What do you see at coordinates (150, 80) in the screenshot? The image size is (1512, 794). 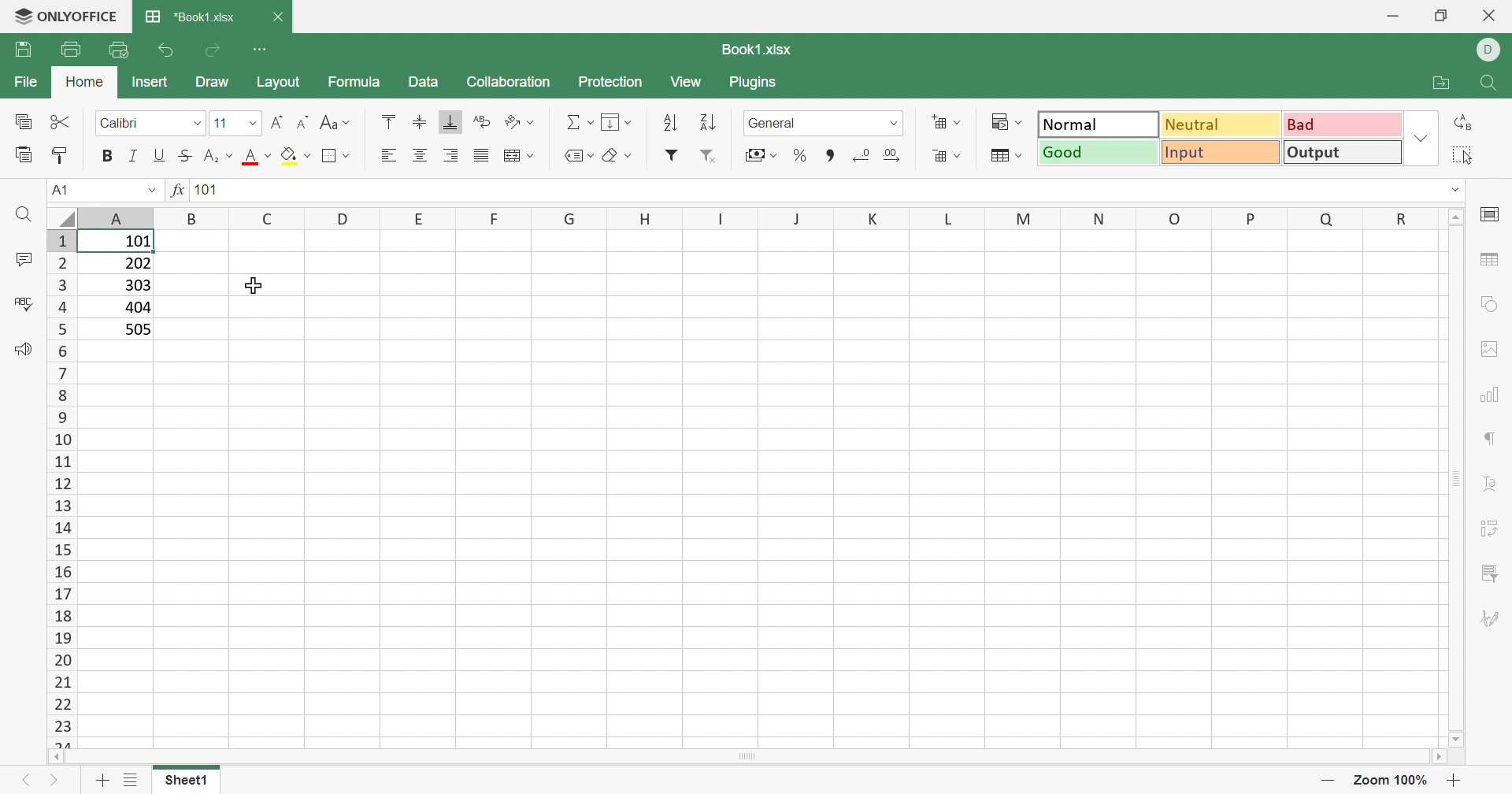 I see `Insert` at bounding box center [150, 80].